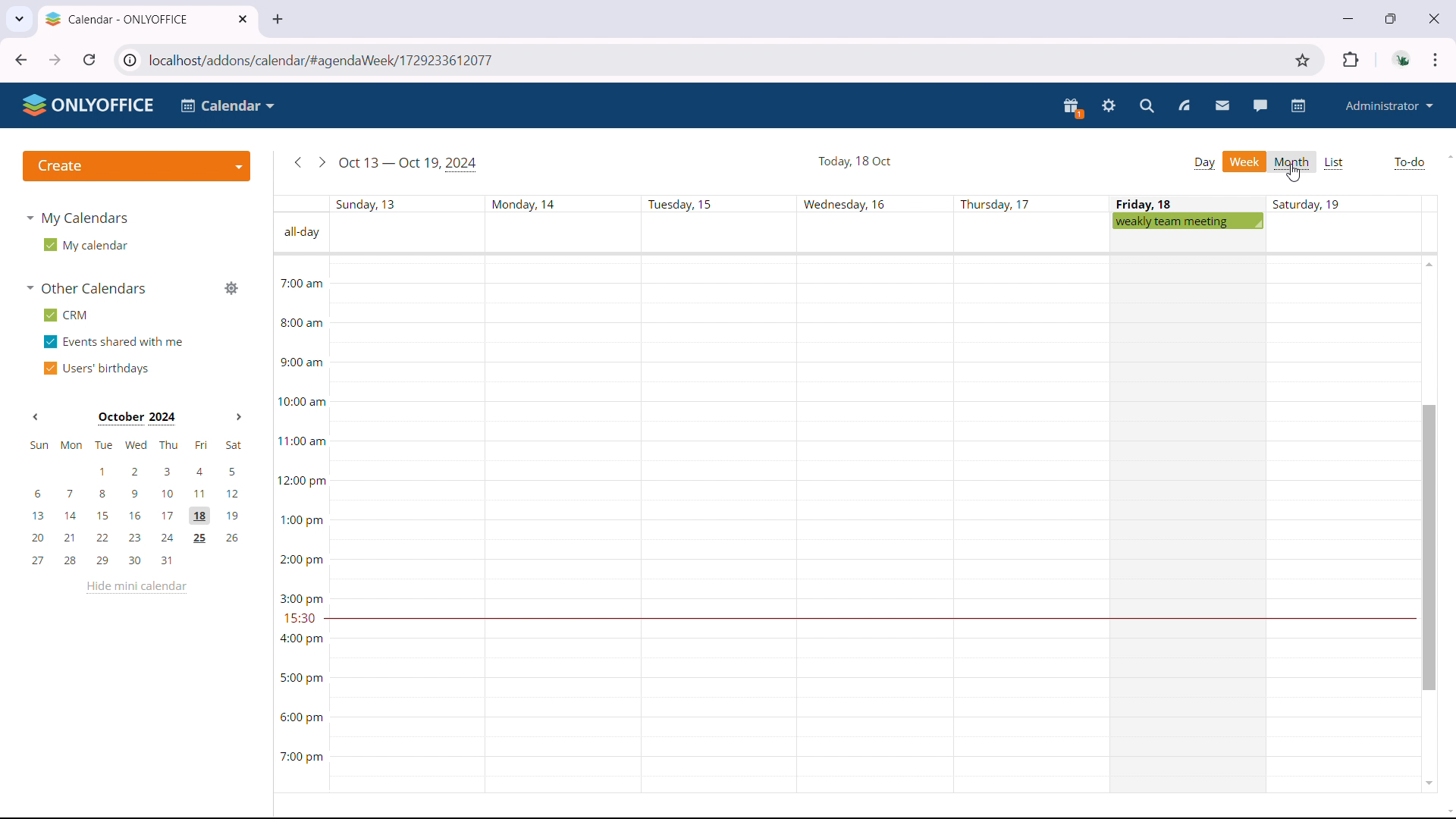  I want to click on hide mini calendar, so click(135, 589).